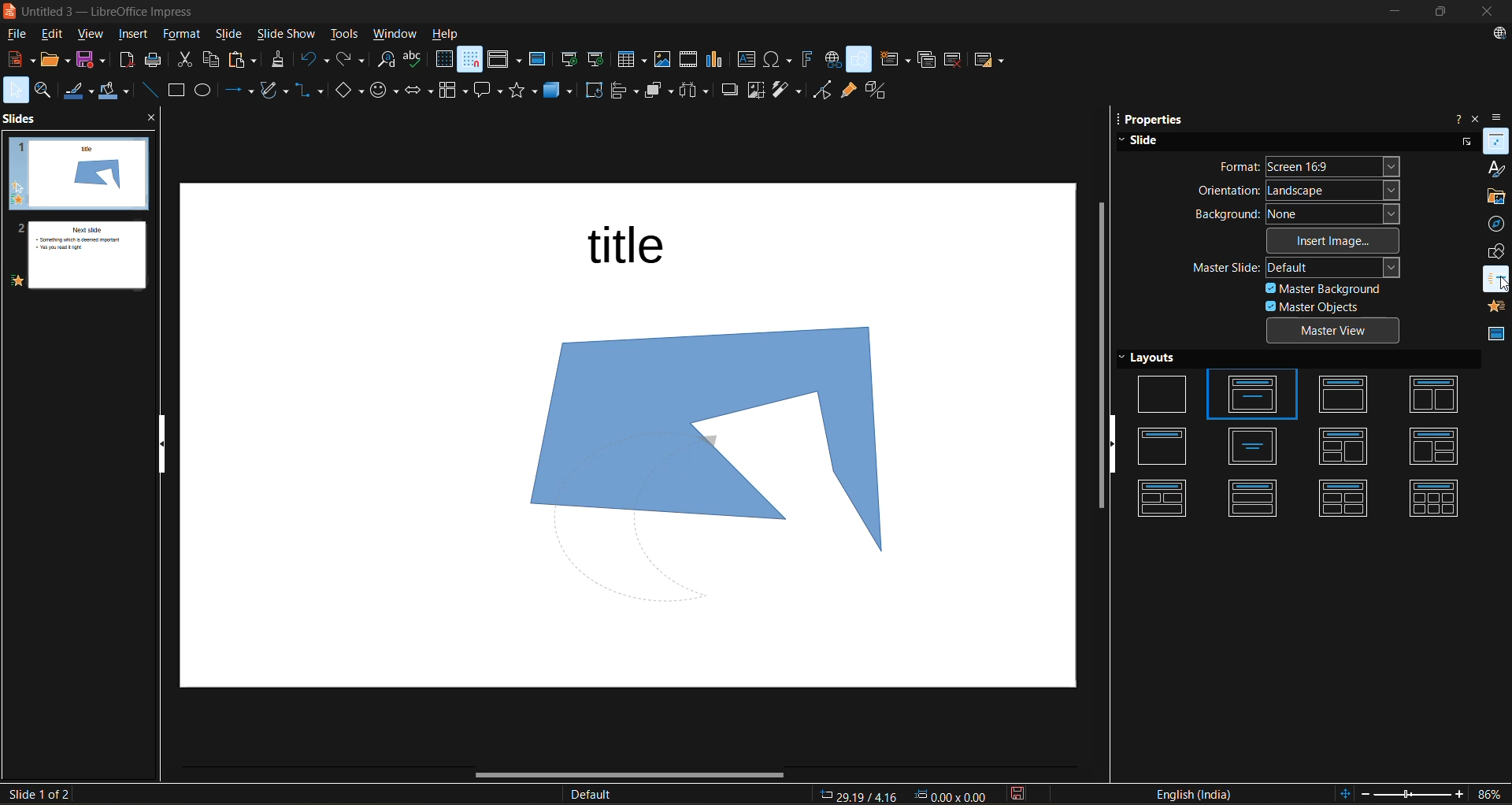  I want to click on navigator, so click(1496, 225).